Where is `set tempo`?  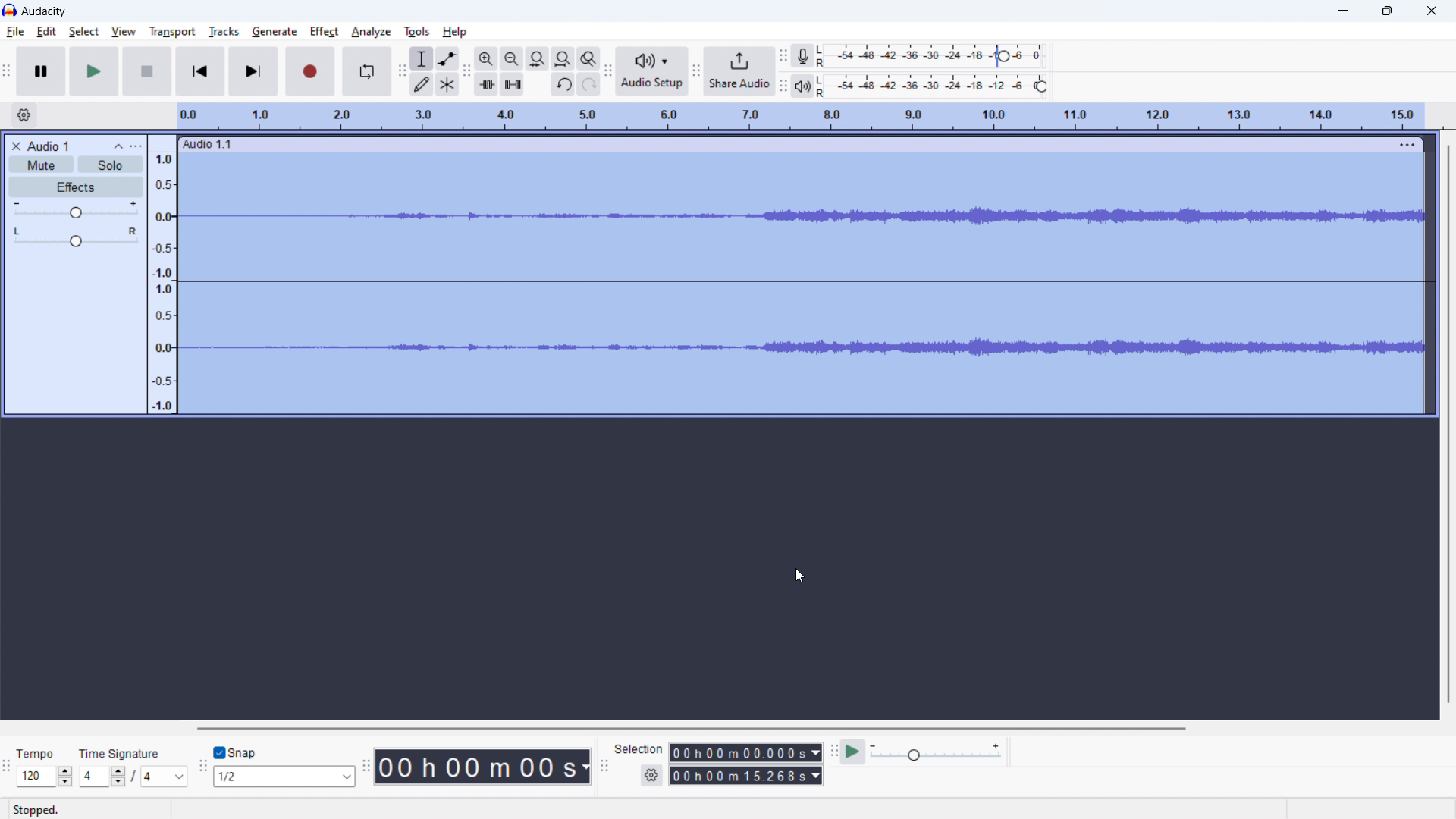
set tempo is located at coordinates (45, 766).